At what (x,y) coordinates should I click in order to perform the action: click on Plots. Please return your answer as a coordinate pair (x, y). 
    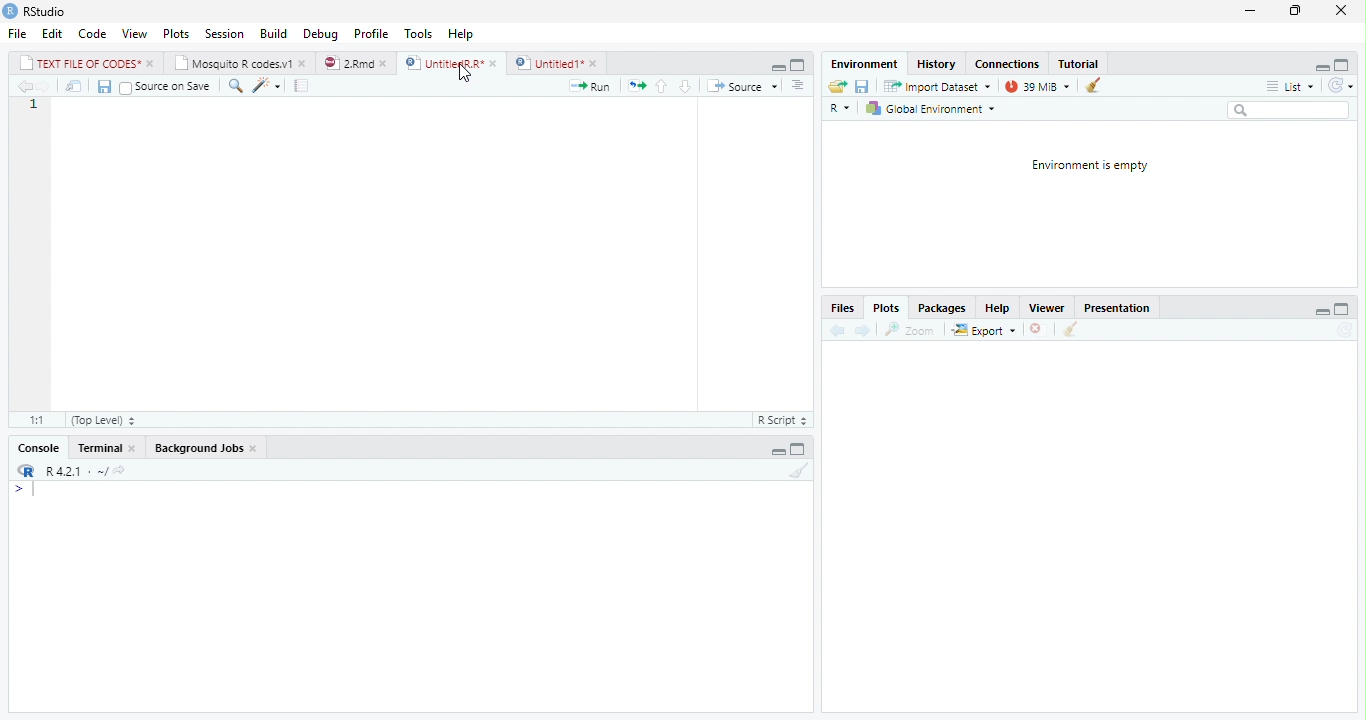
    Looking at the image, I should click on (174, 33).